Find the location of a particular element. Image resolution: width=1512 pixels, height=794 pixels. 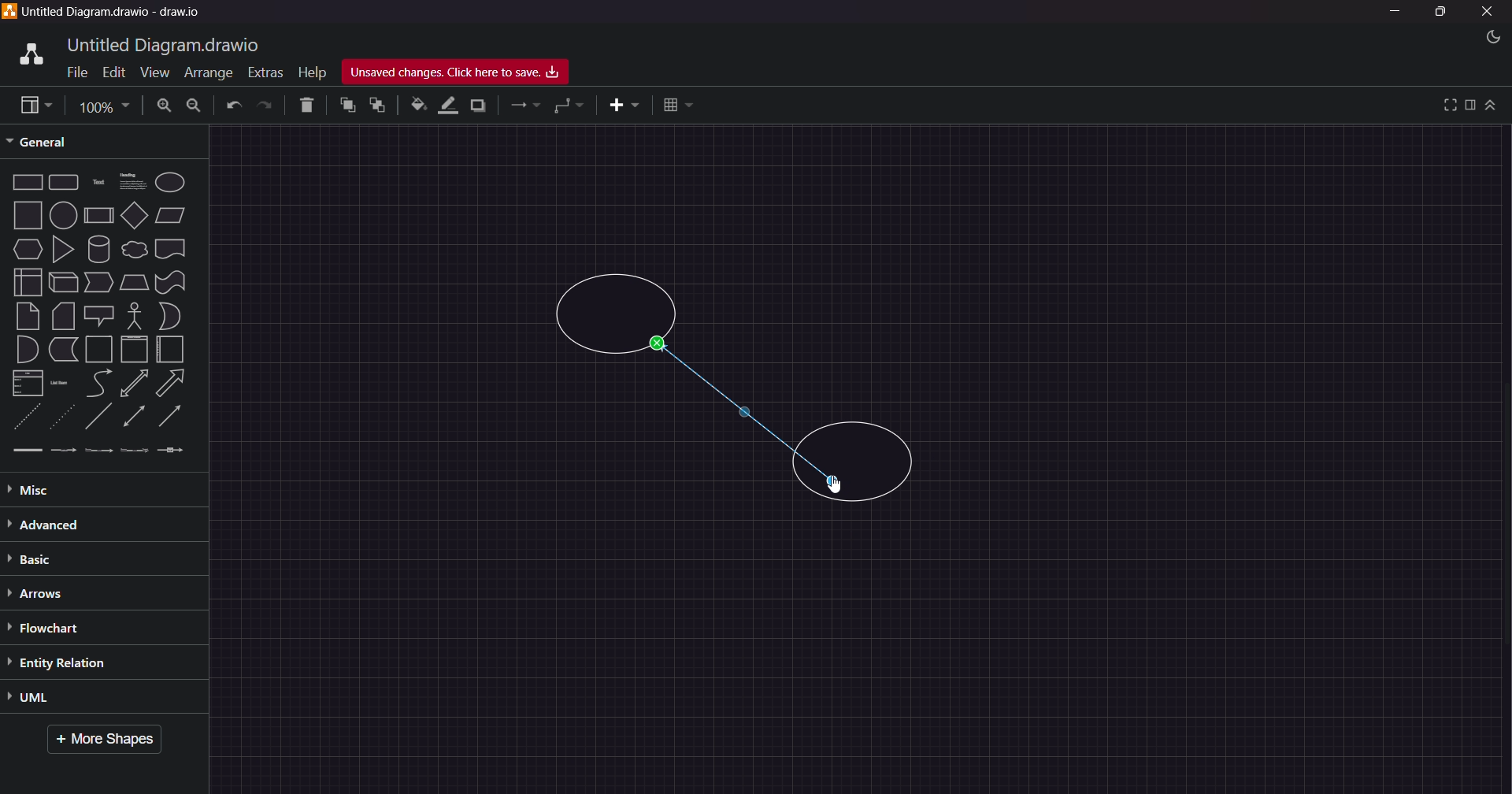

UML is located at coordinates (72, 699).